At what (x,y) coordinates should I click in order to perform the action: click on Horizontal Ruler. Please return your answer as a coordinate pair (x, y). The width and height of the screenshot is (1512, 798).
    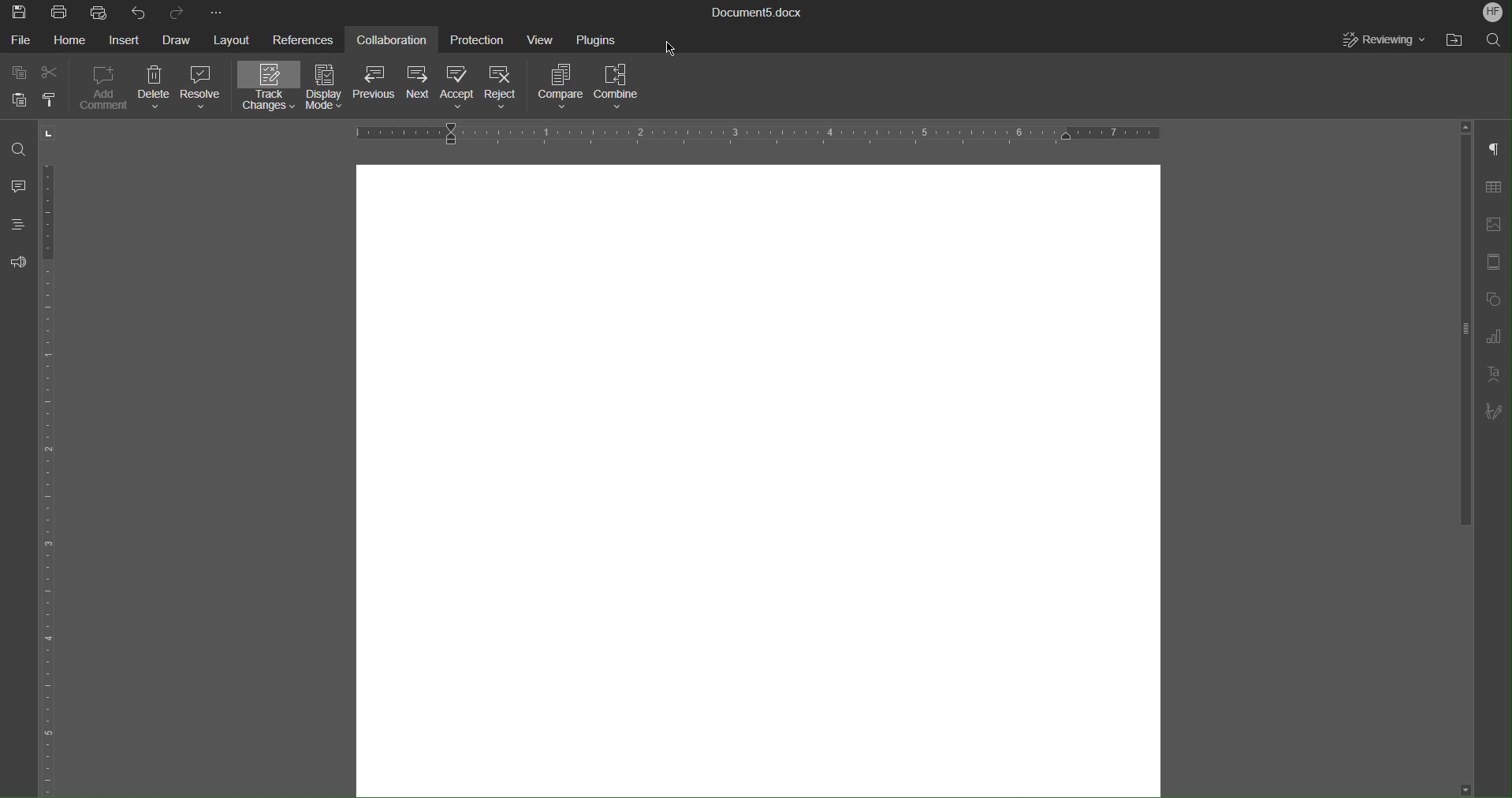
    Looking at the image, I should click on (758, 132).